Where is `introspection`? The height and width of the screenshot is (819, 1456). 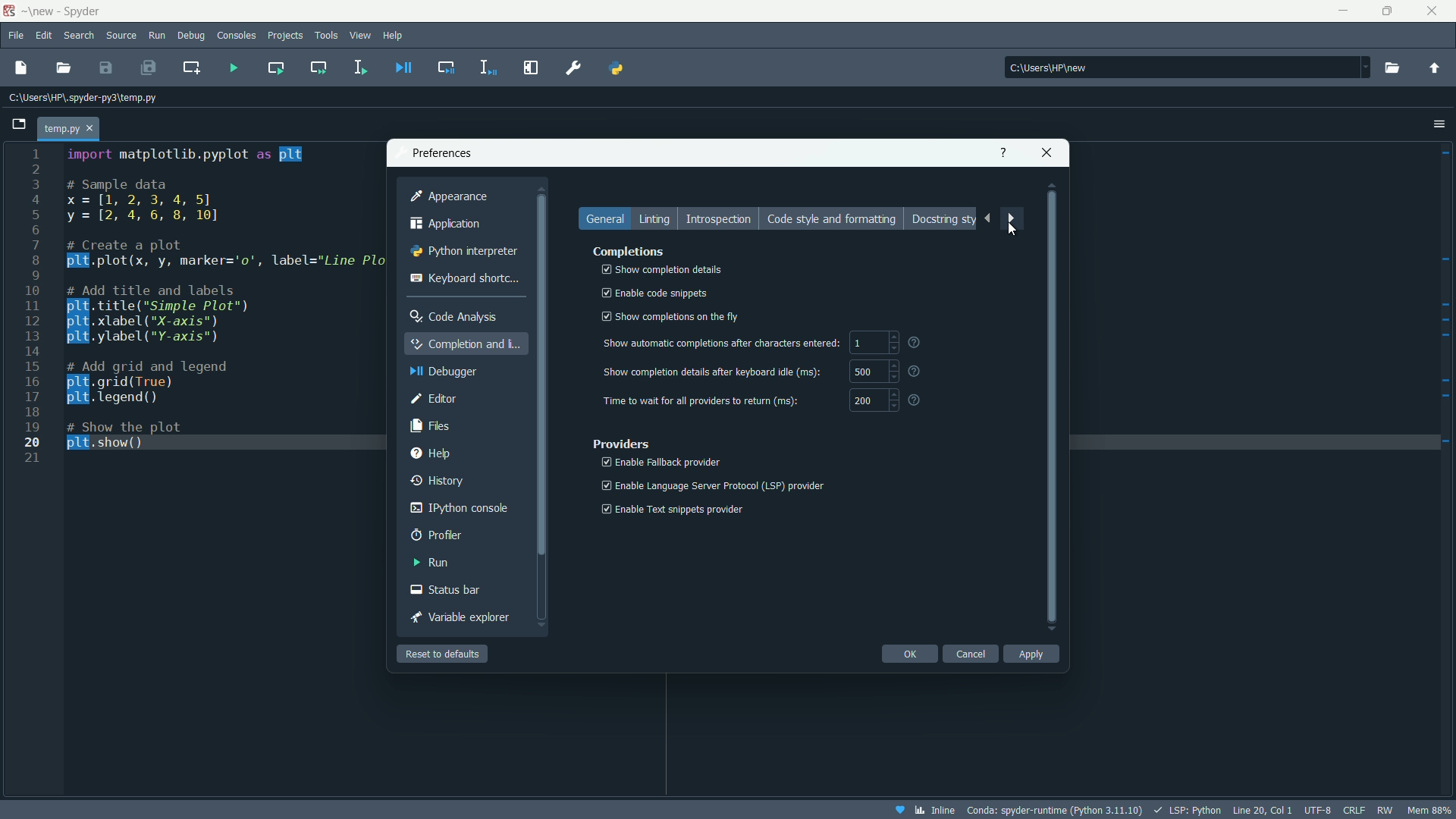 introspection is located at coordinates (720, 220).